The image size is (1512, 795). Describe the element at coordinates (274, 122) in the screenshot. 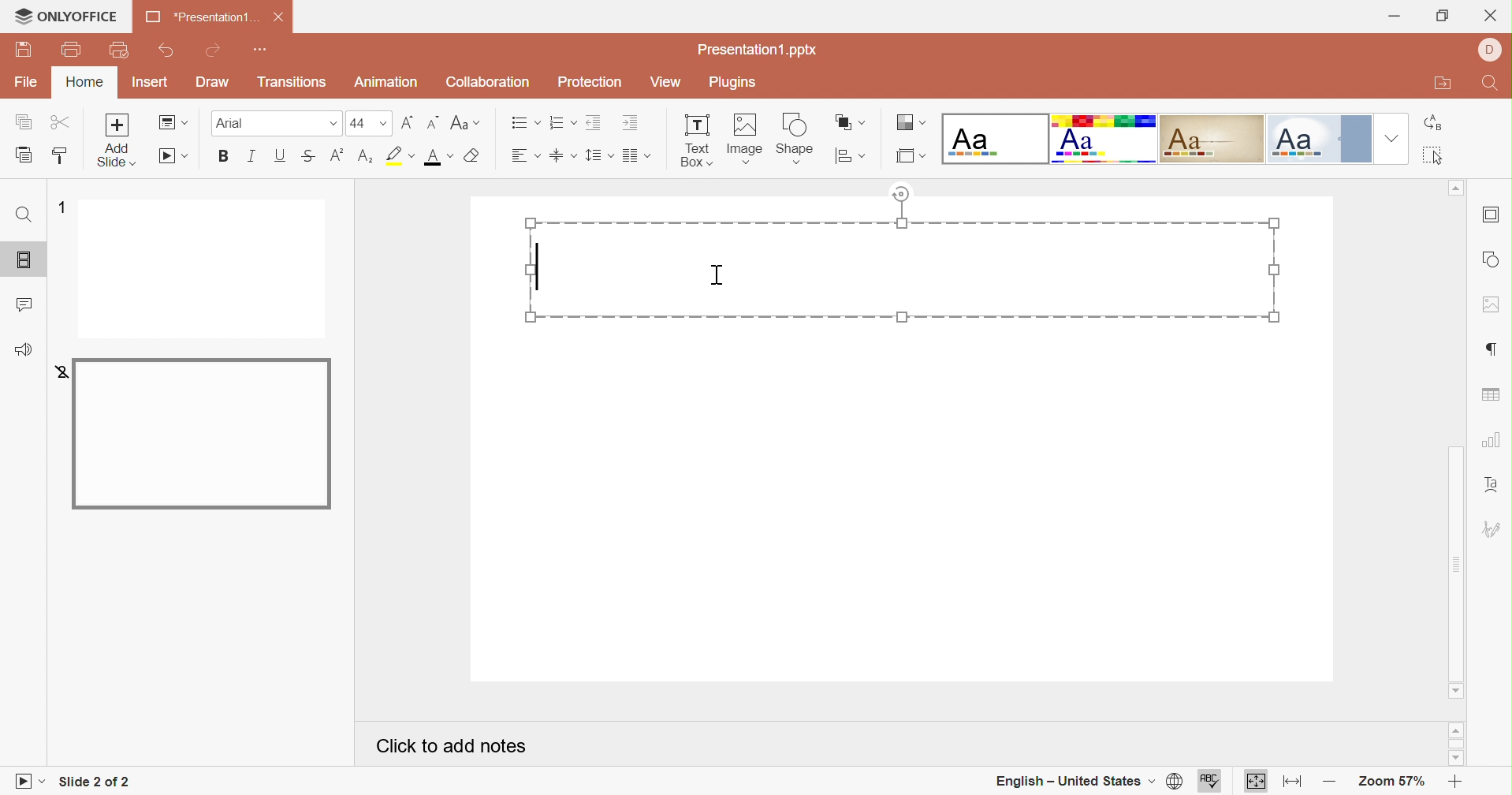

I see `Font` at that location.